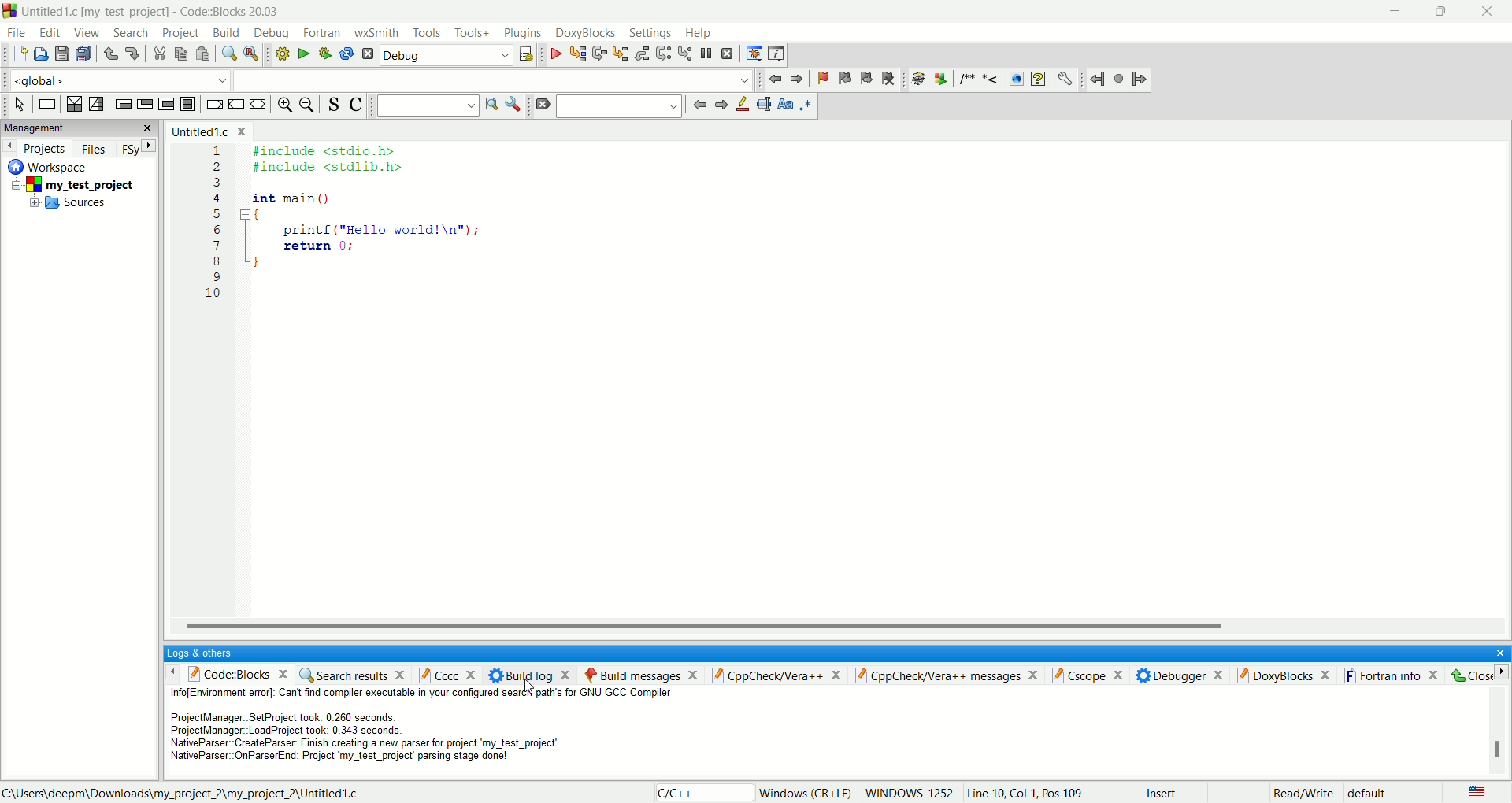 This screenshot has width=1512, height=803. I want to click on doxyblocks, so click(586, 33).